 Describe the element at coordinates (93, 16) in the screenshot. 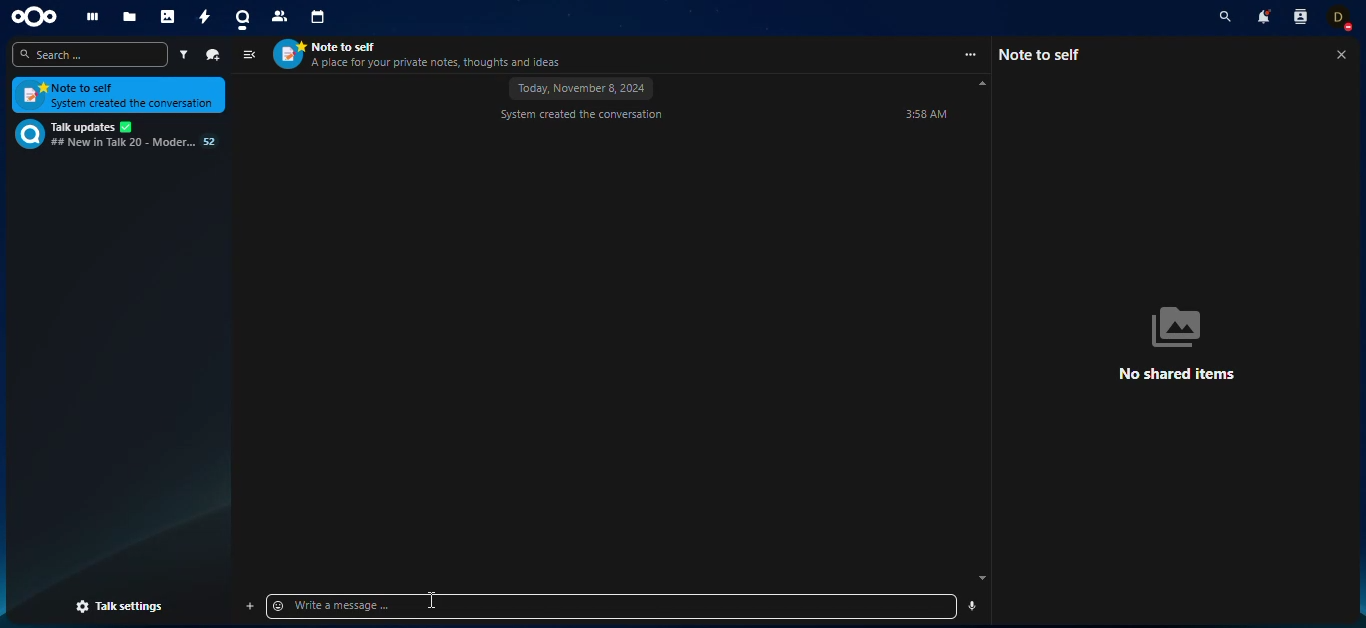

I see `dashboard` at that location.